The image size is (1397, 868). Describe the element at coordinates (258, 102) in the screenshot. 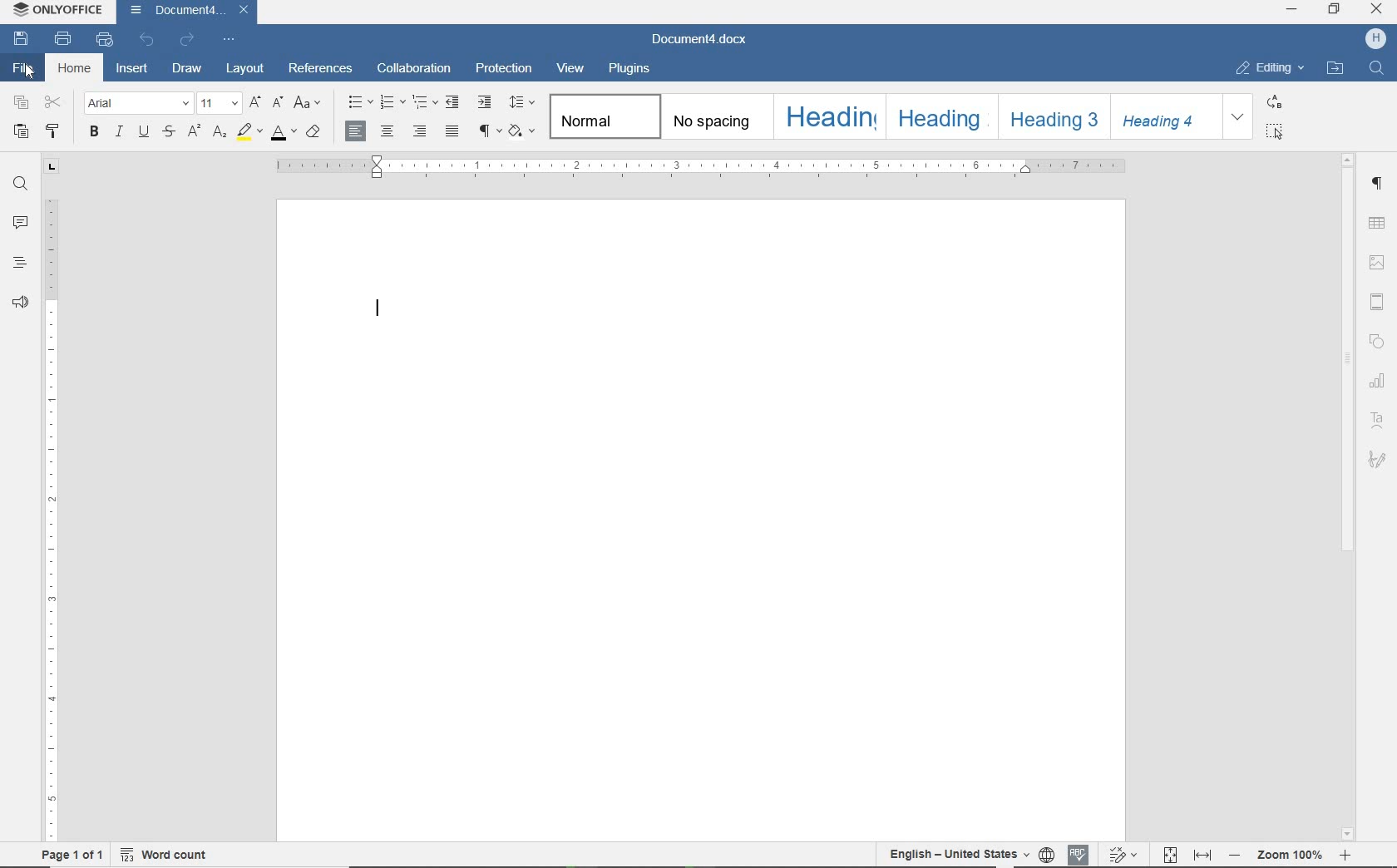

I see `increment font size` at that location.